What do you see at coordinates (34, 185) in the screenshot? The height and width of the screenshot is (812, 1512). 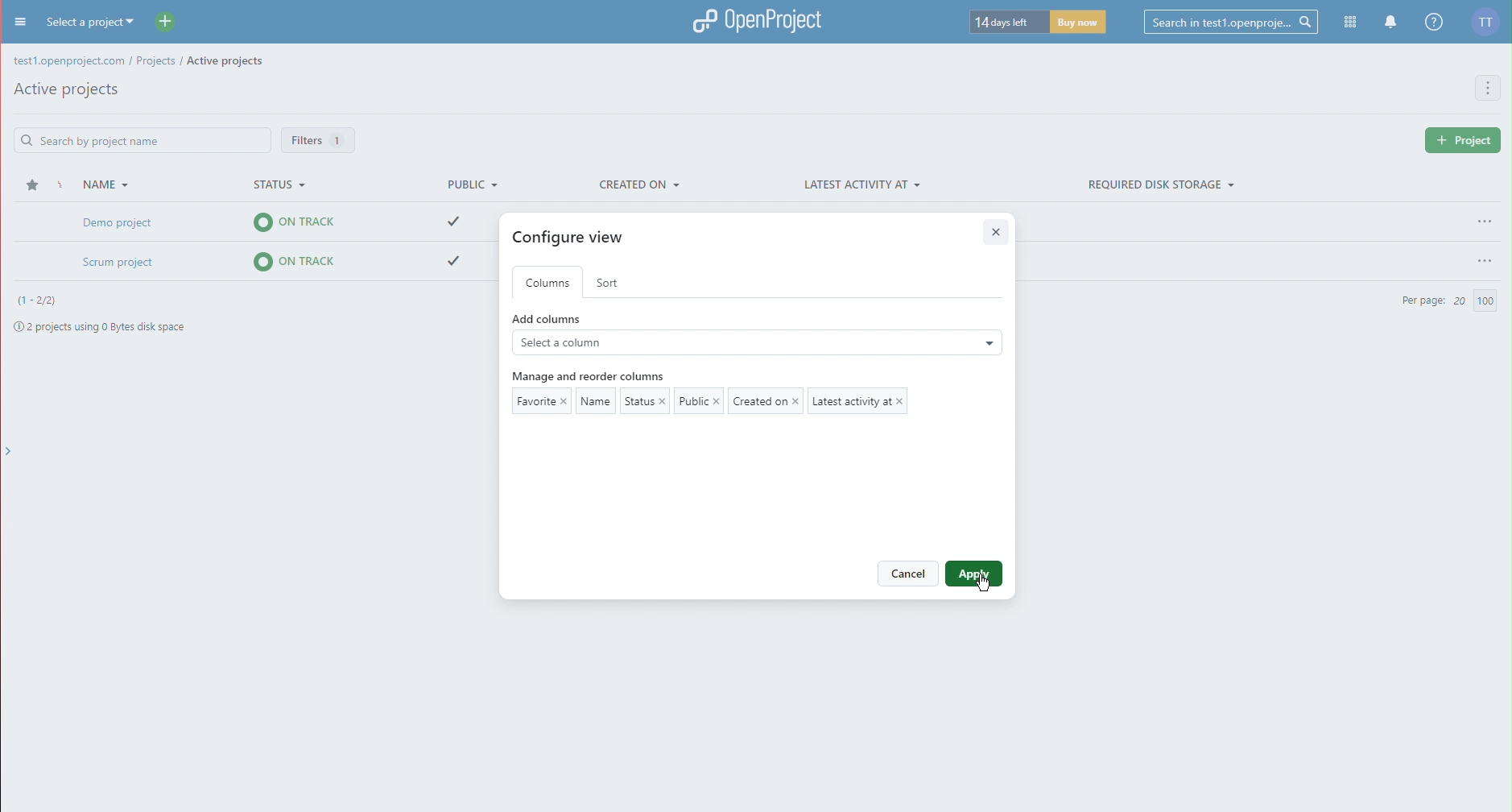 I see `Star` at bounding box center [34, 185].